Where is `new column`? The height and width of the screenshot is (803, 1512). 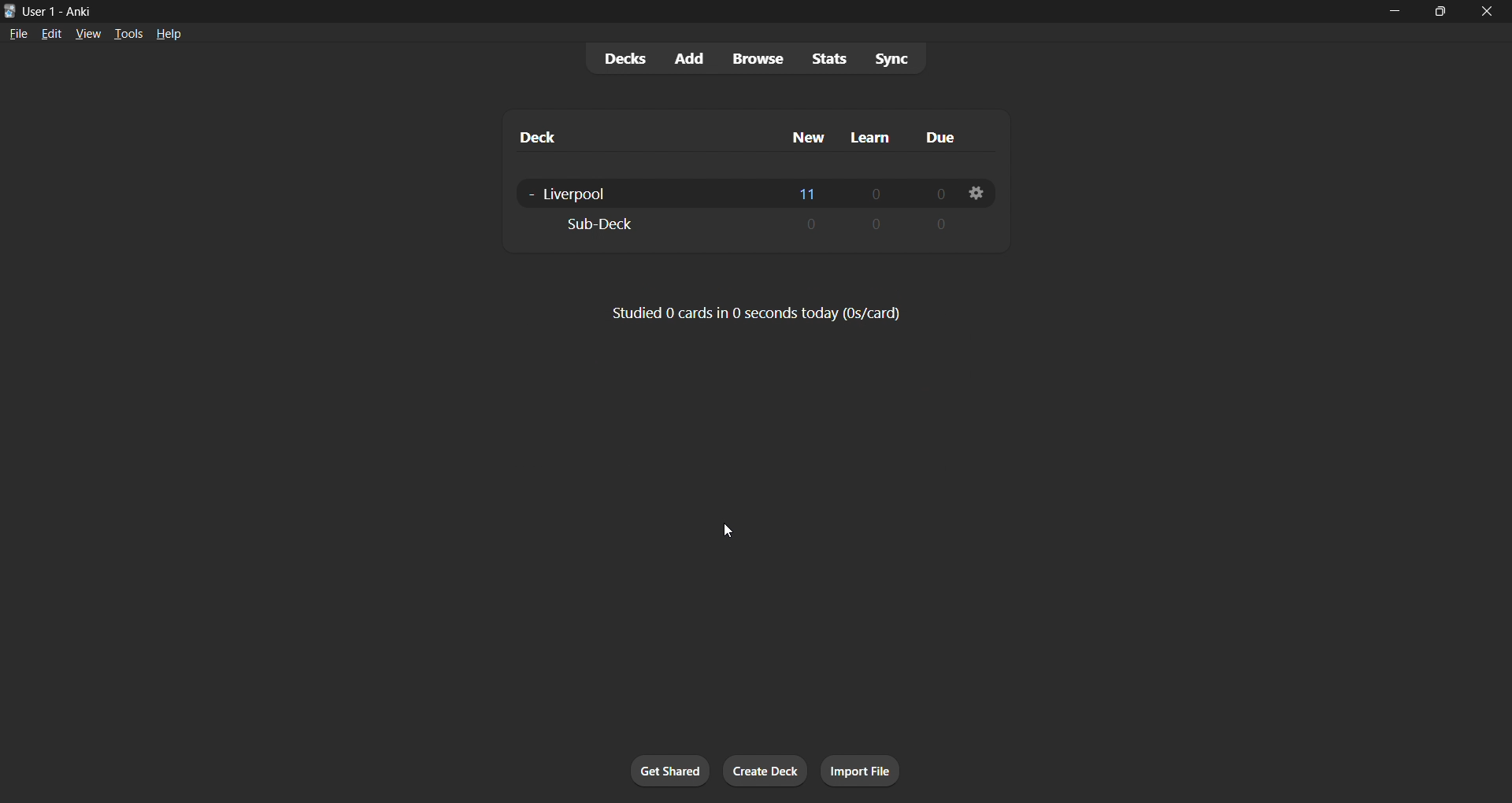 new column is located at coordinates (809, 135).